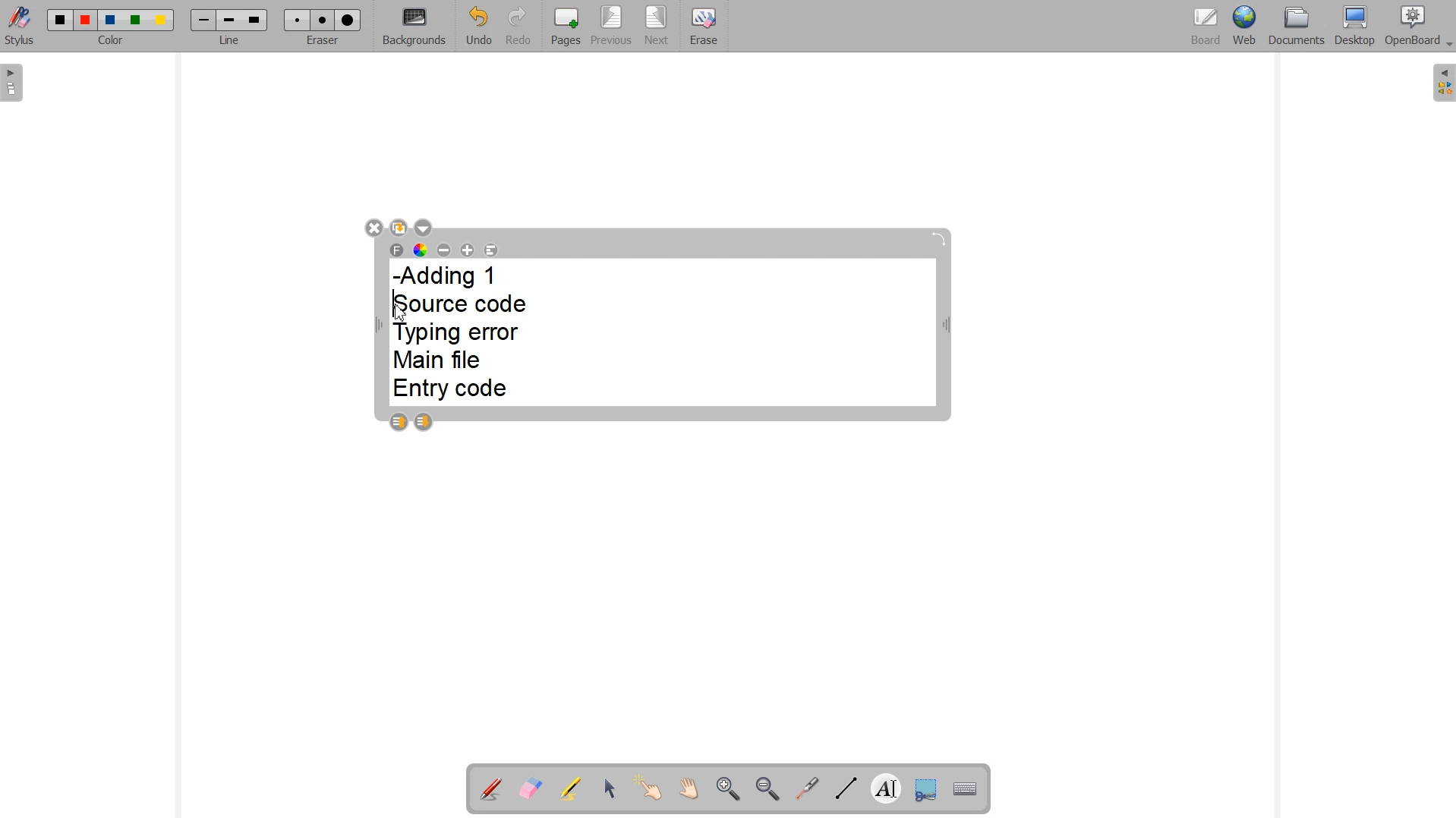 Image resolution: width=1456 pixels, height=818 pixels. I want to click on Drop down box, so click(425, 228).